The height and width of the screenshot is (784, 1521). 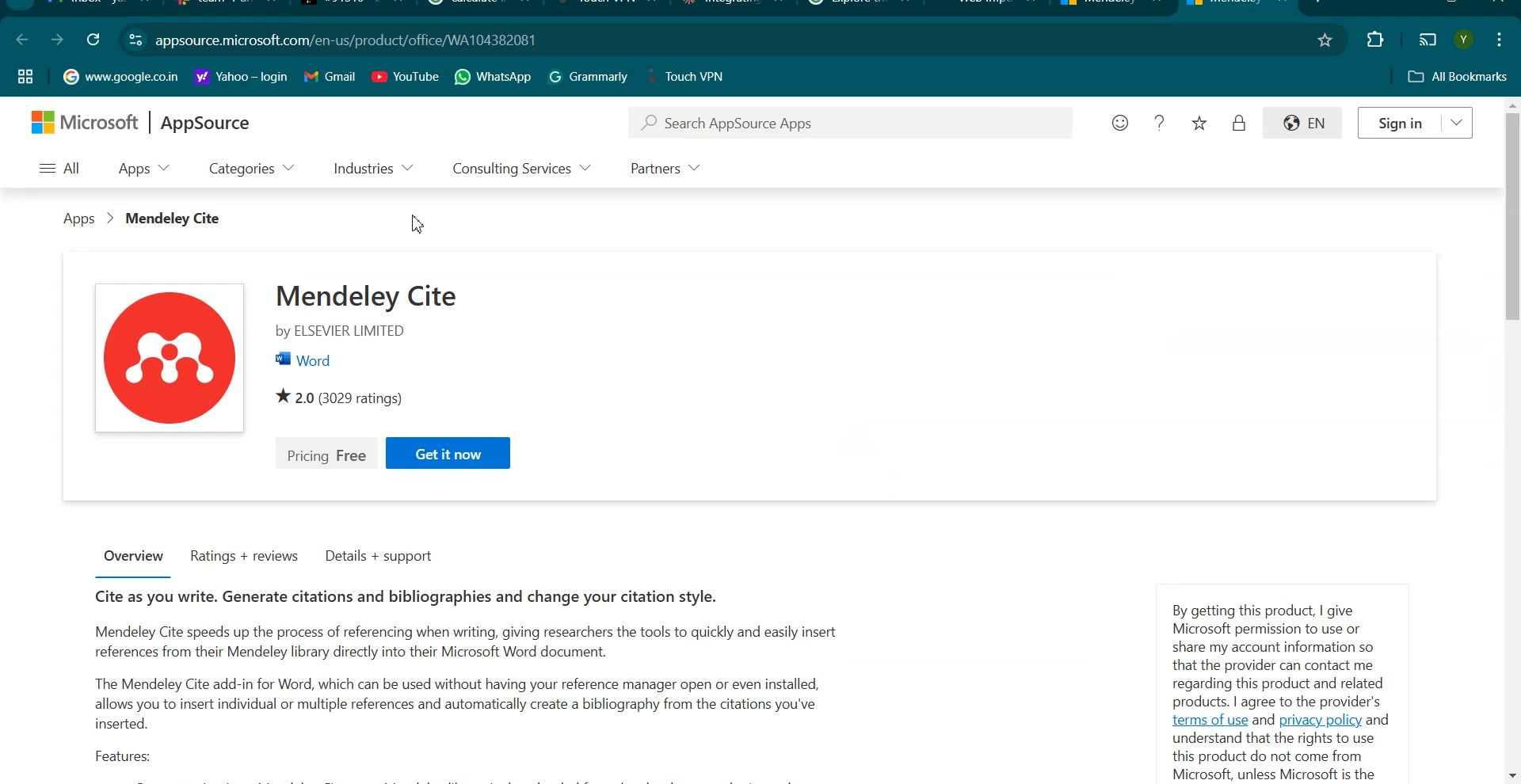 What do you see at coordinates (134, 558) in the screenshot?
I see `Overview` at bounding box center [134, 558].